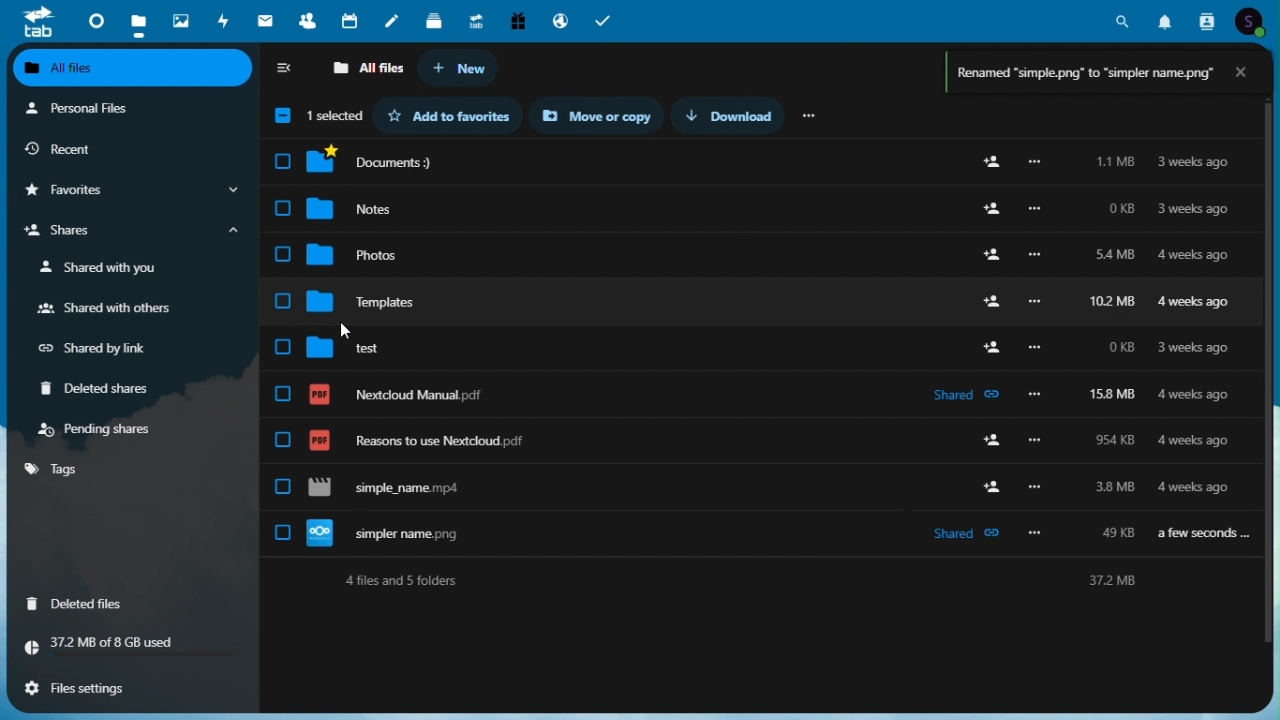 Image resolution: width=1280 pixels, height=720 pixels. I want to click on mail, so click(268, 20).